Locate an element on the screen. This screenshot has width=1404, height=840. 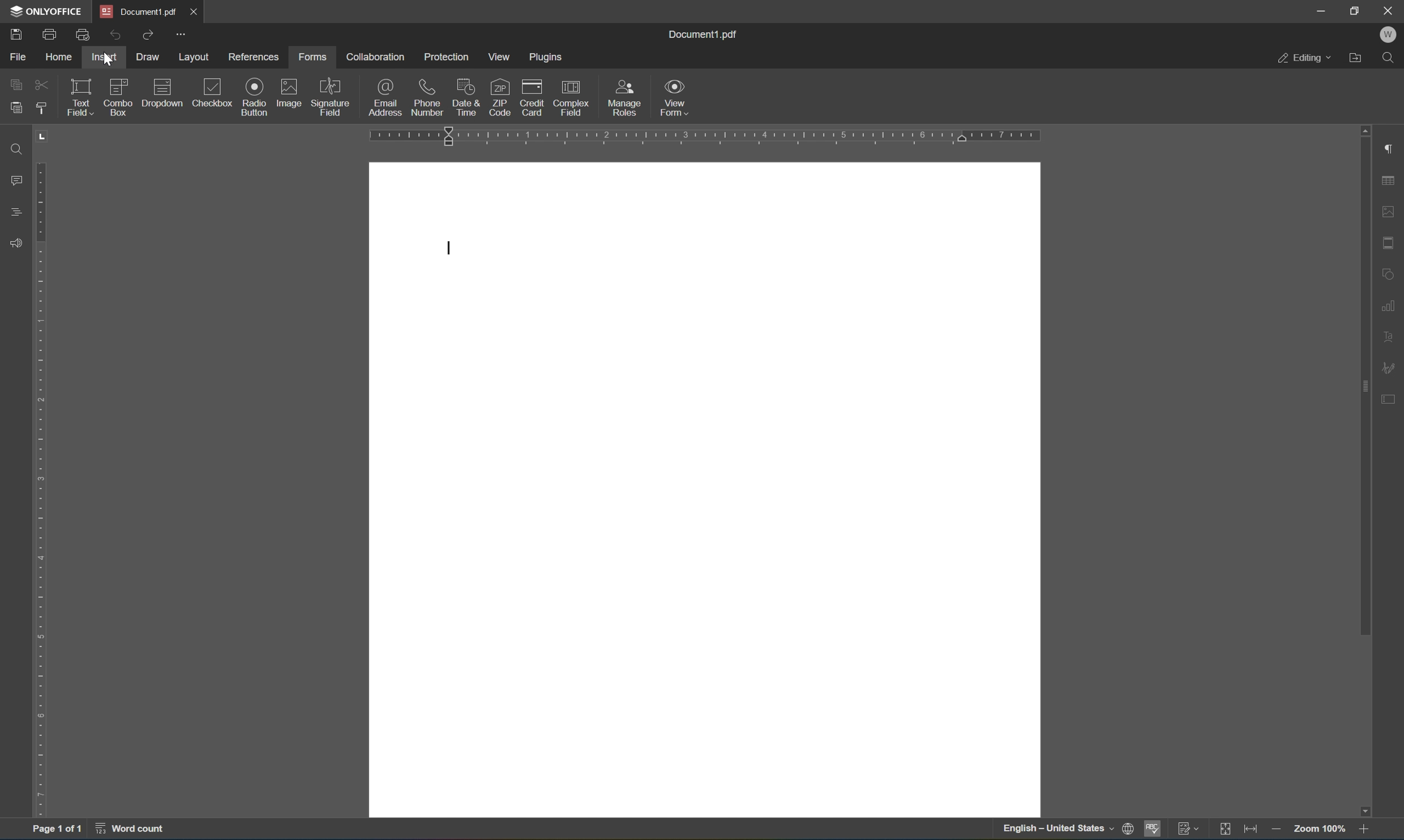
scroll down is located at coordinates (1364, 811).